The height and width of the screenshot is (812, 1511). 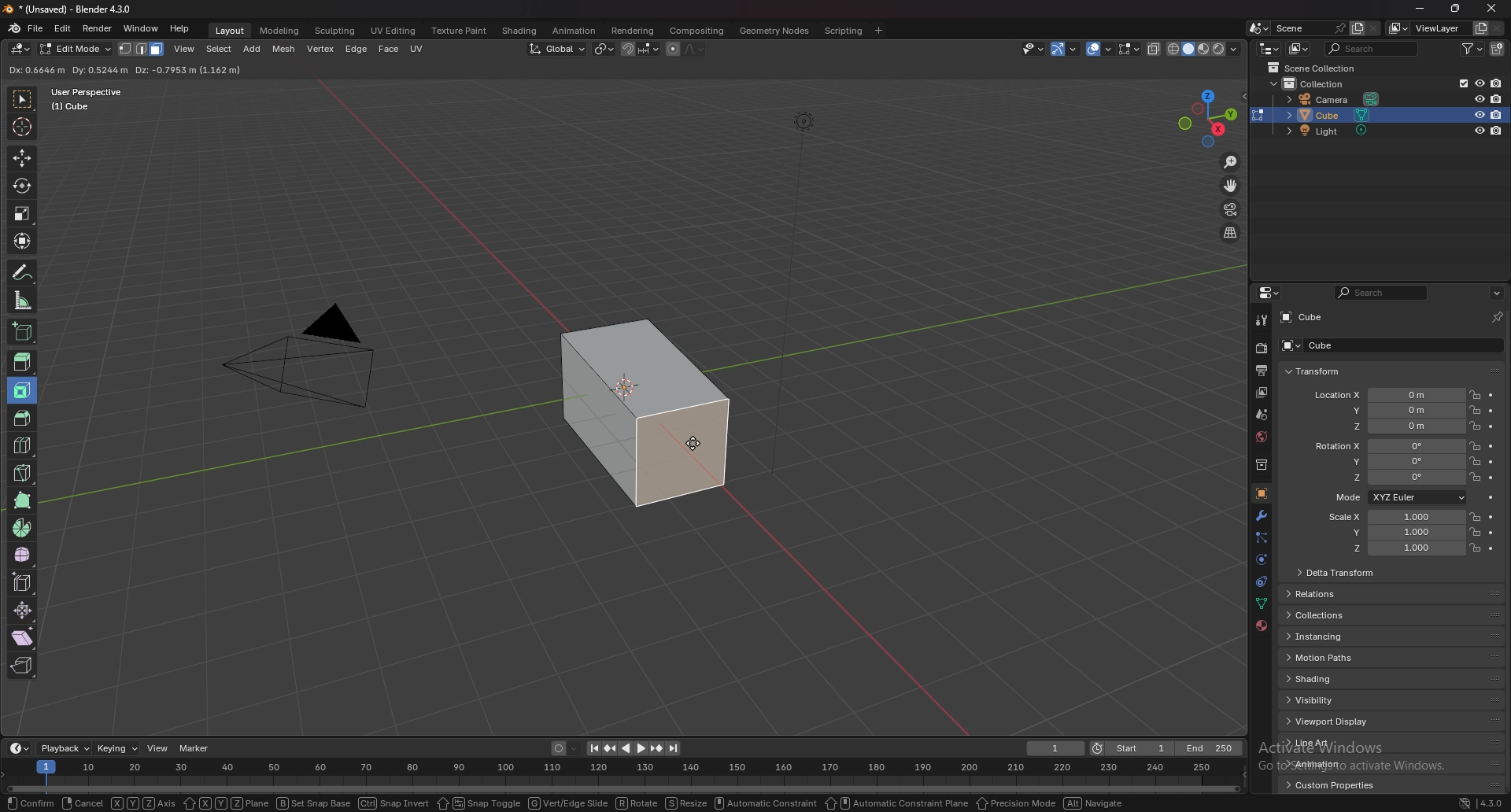 I want to click on blender, so click(x=14, y=28).